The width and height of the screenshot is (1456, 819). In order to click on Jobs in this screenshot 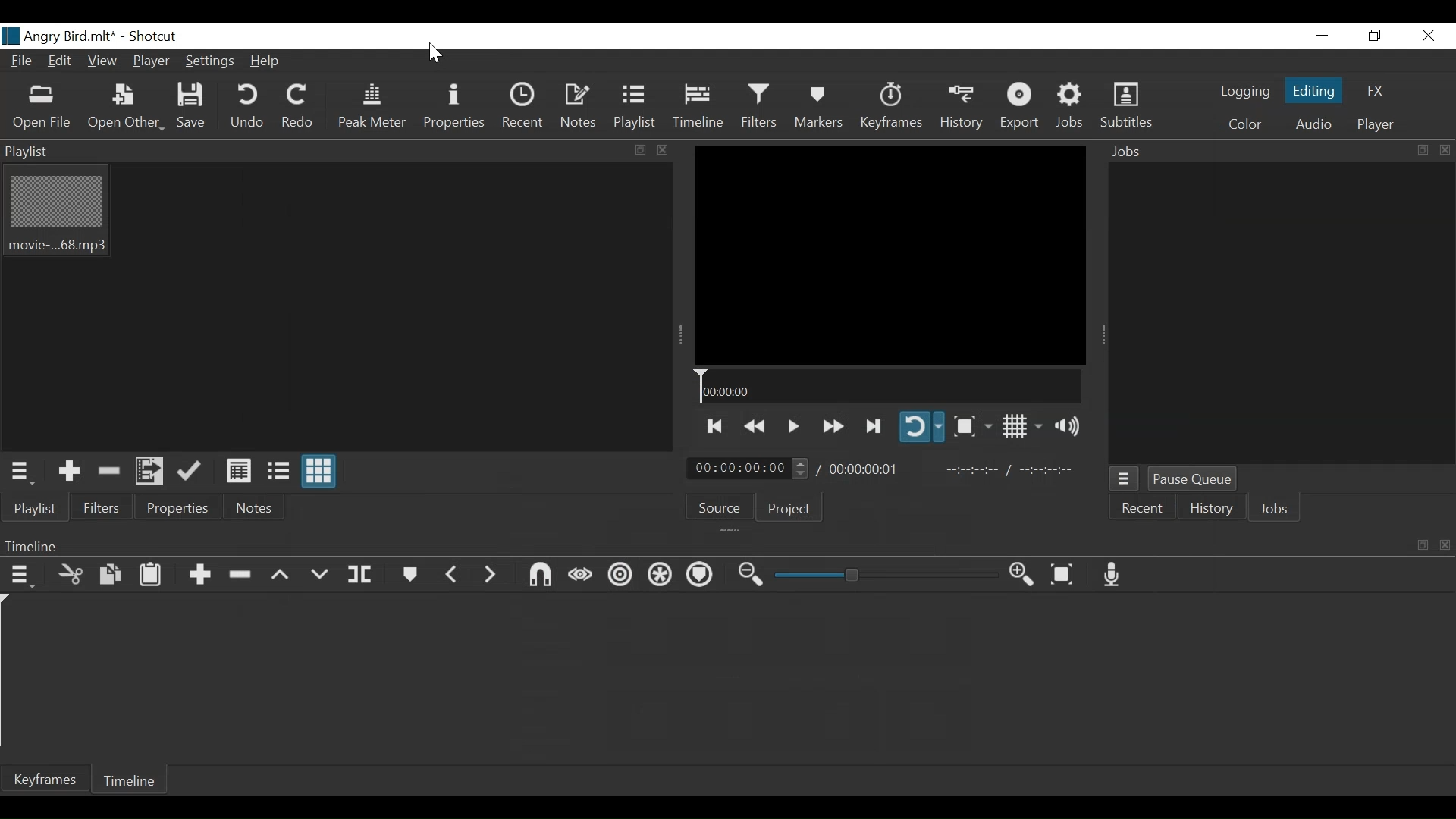, I will do `click(1072, 108)`.